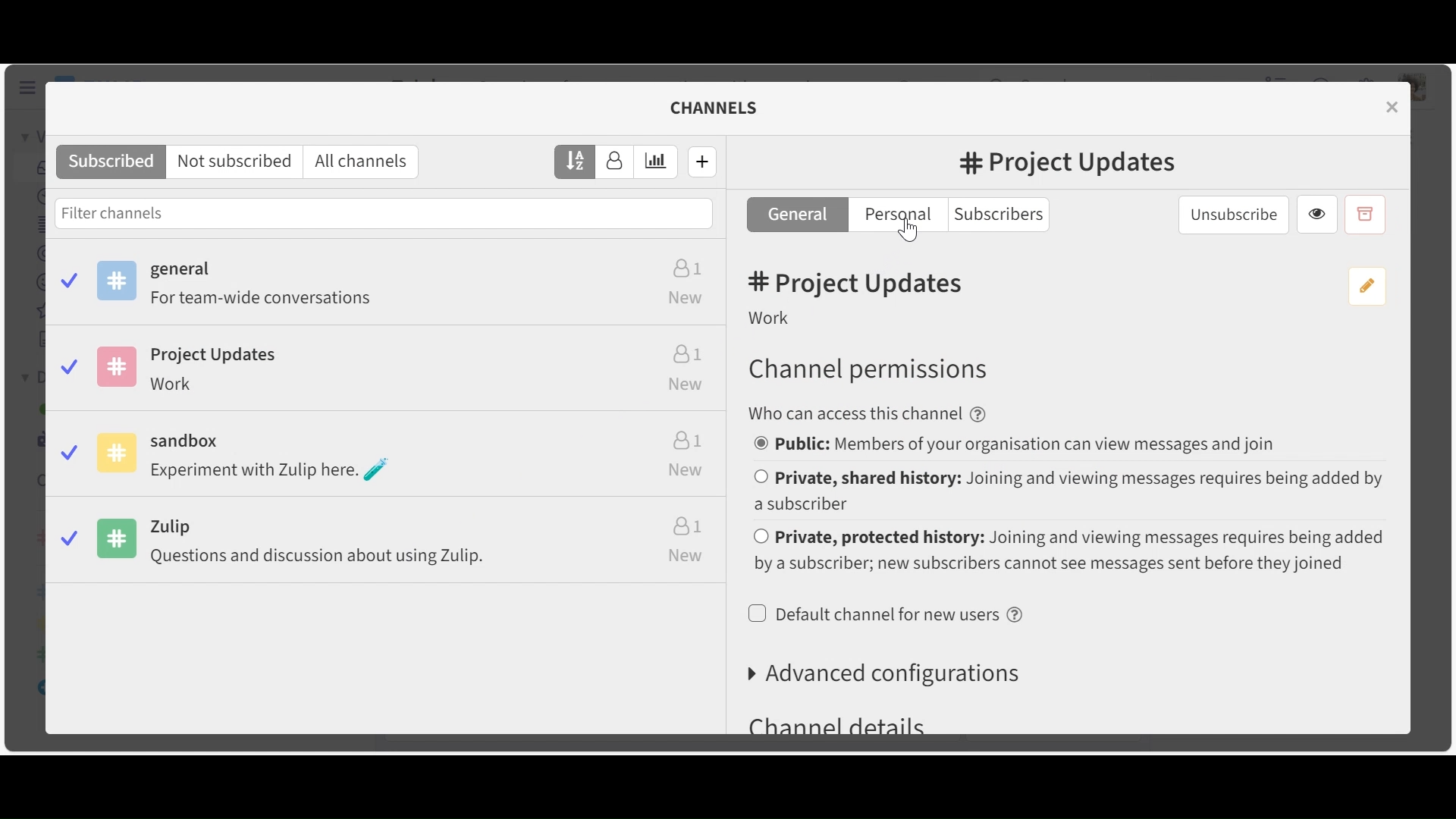  I want to click on Edit channel name and description, so click(1363, 287).